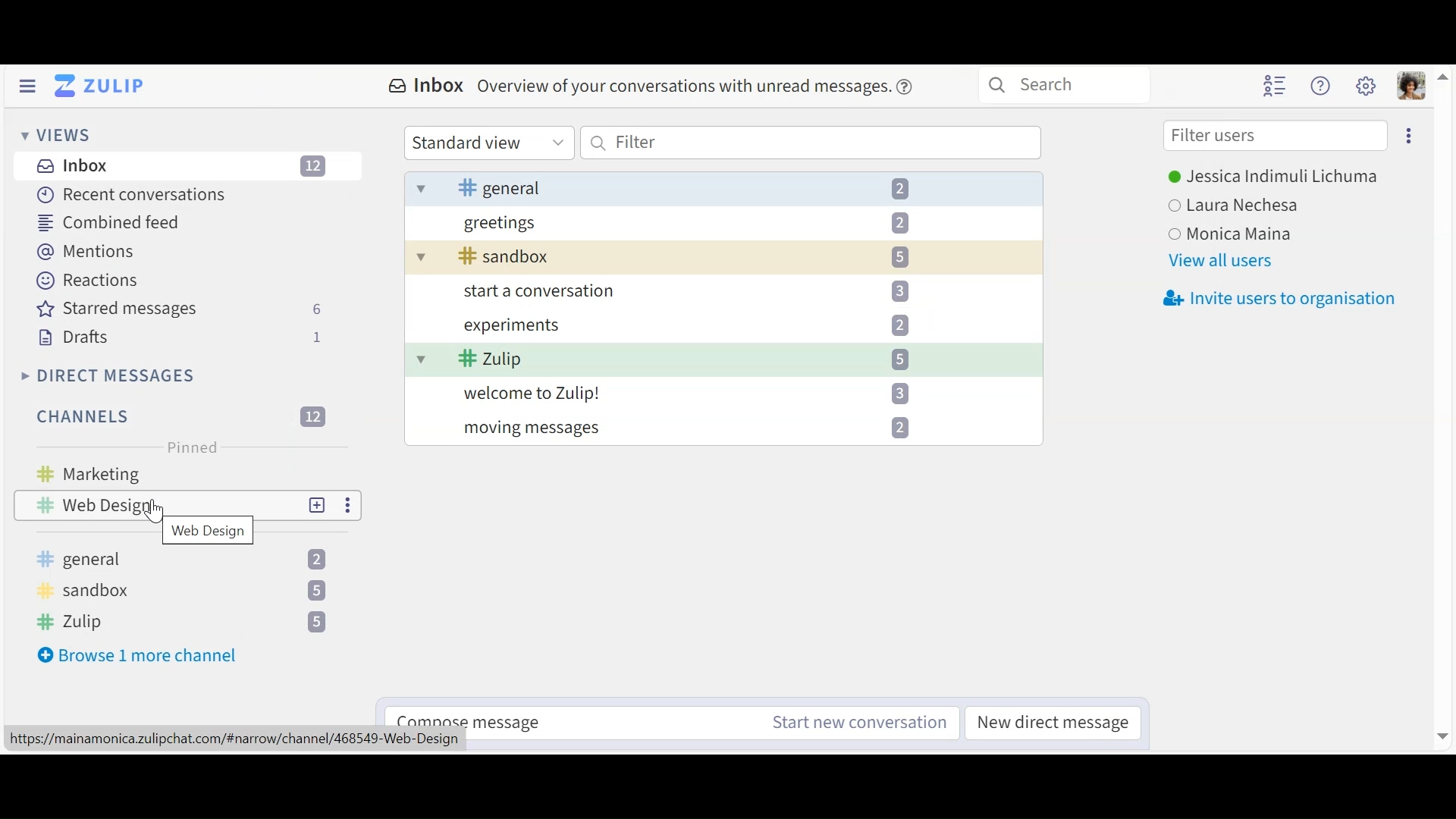 Image resolution: width=1456 pixels, height=819 pixels. Describe the element at coordinates (318, 507) in the screenshot. I see `New topic` at that location.